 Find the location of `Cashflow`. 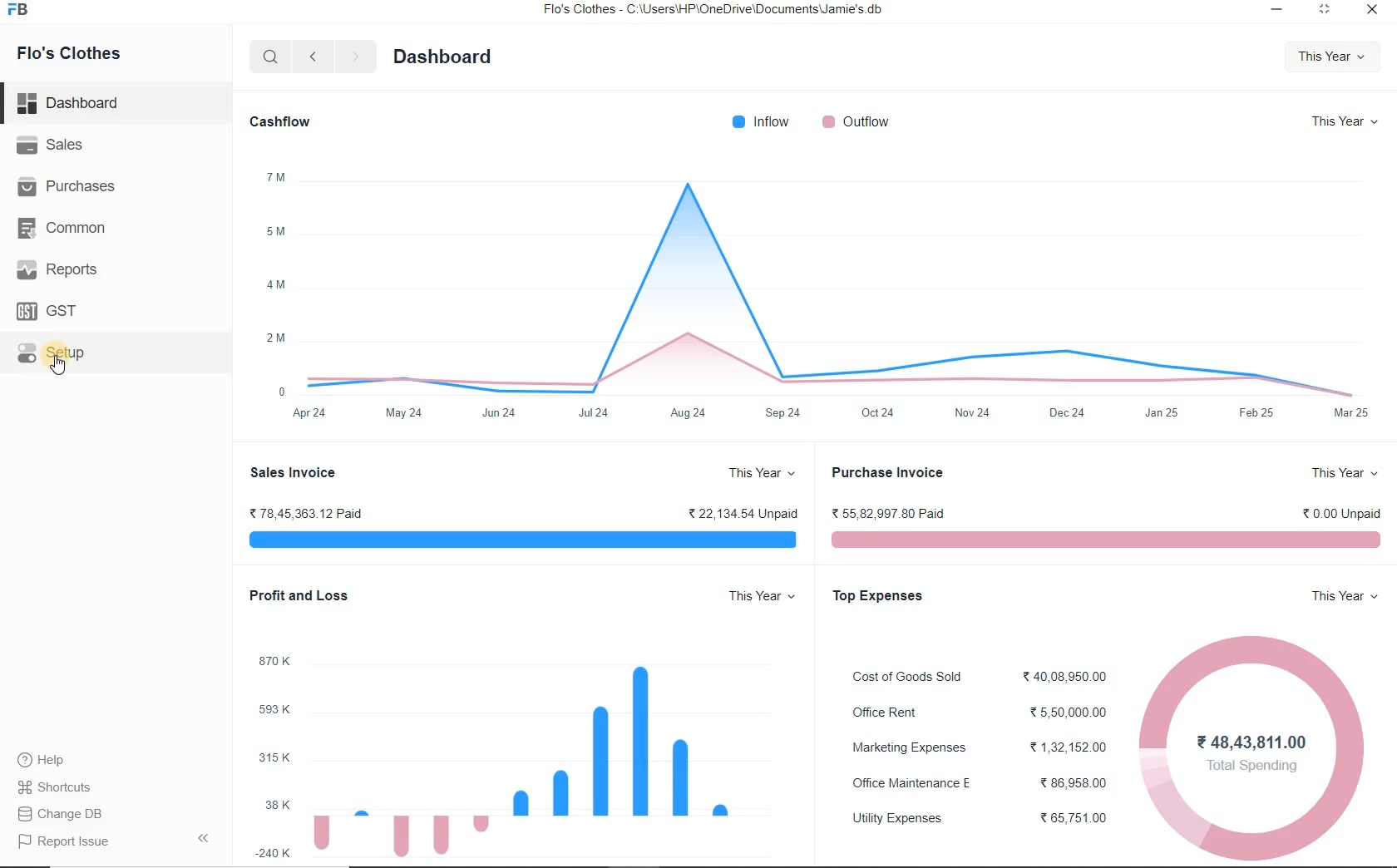

Cashflow is located at coordinates (280, 123).